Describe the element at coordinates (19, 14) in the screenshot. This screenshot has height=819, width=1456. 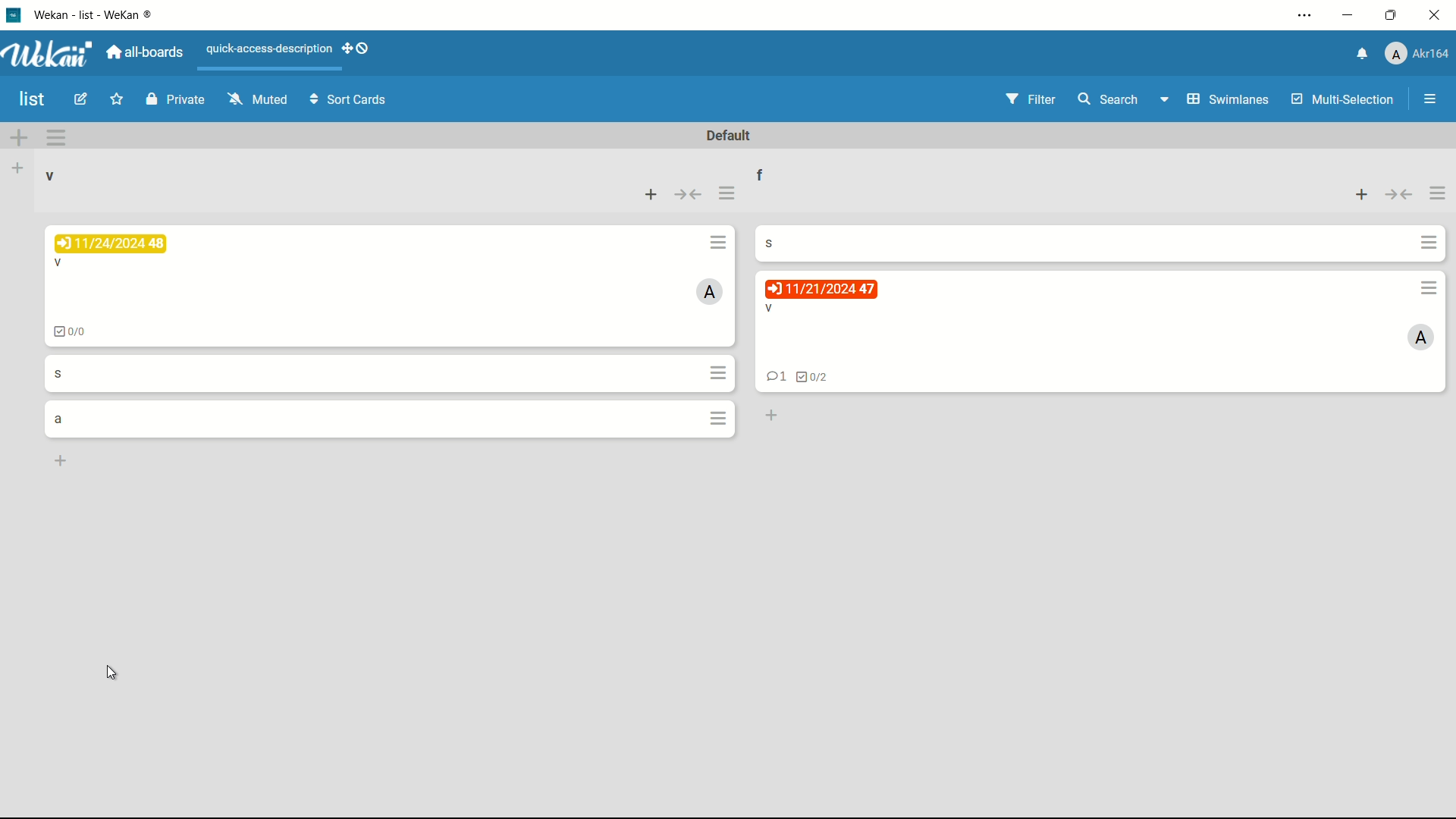
I see `wekan icon` at that location.